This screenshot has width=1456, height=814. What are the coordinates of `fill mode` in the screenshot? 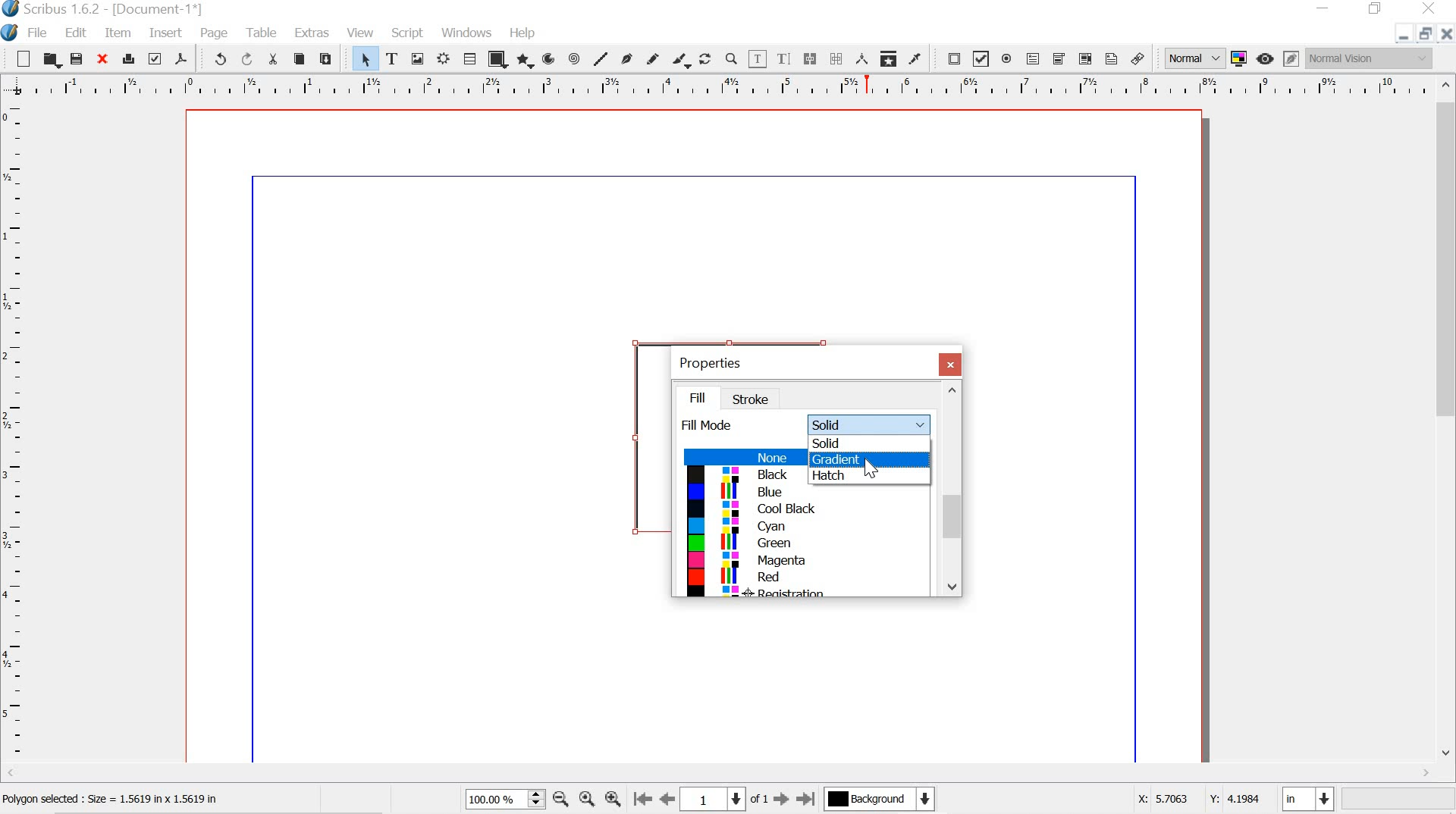 It's located at (710, 426).